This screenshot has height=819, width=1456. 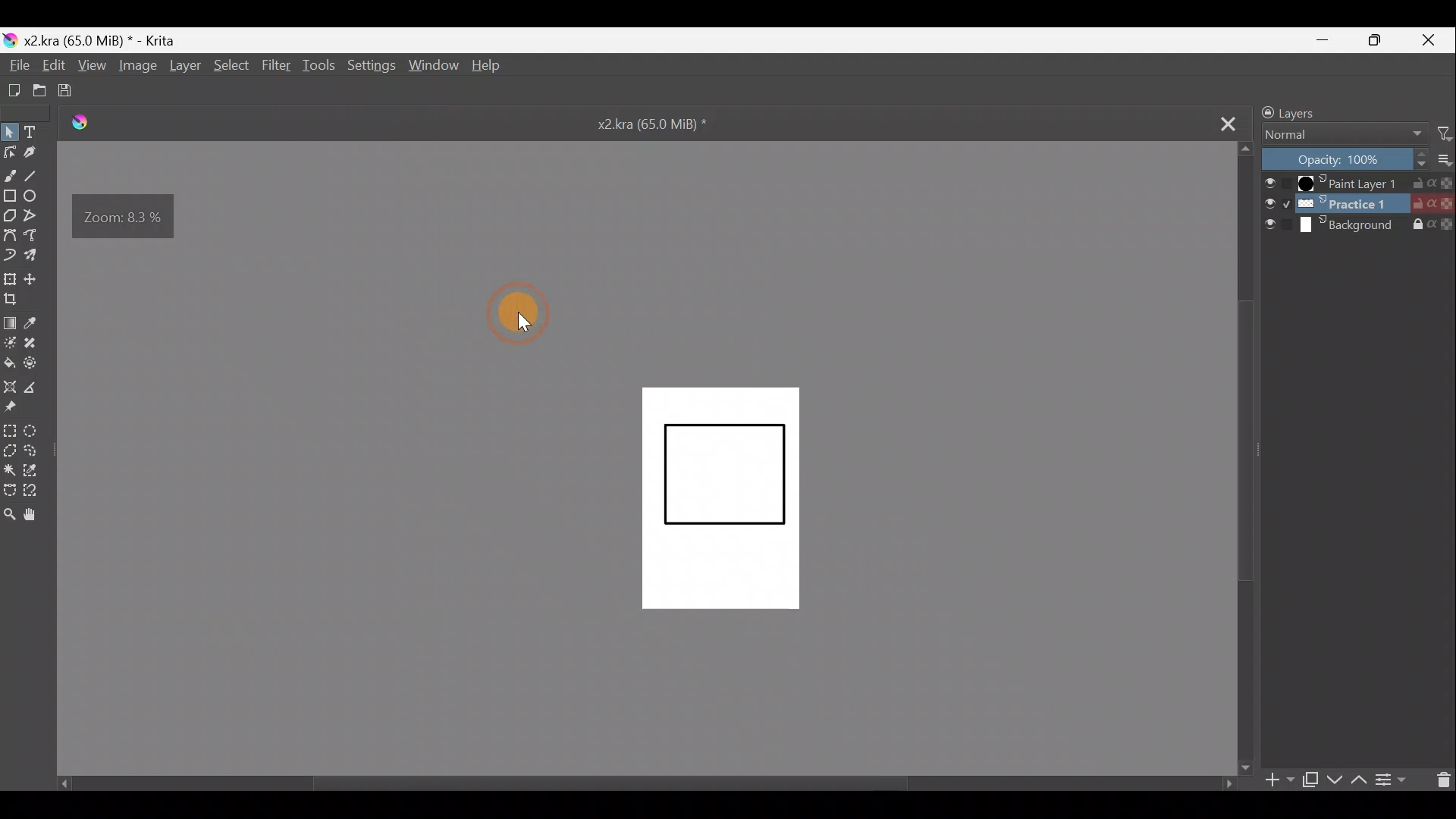 What do you see at coordinates (70, 90) in the screenshot?
I see `Save` at bounding box center [70, 90].